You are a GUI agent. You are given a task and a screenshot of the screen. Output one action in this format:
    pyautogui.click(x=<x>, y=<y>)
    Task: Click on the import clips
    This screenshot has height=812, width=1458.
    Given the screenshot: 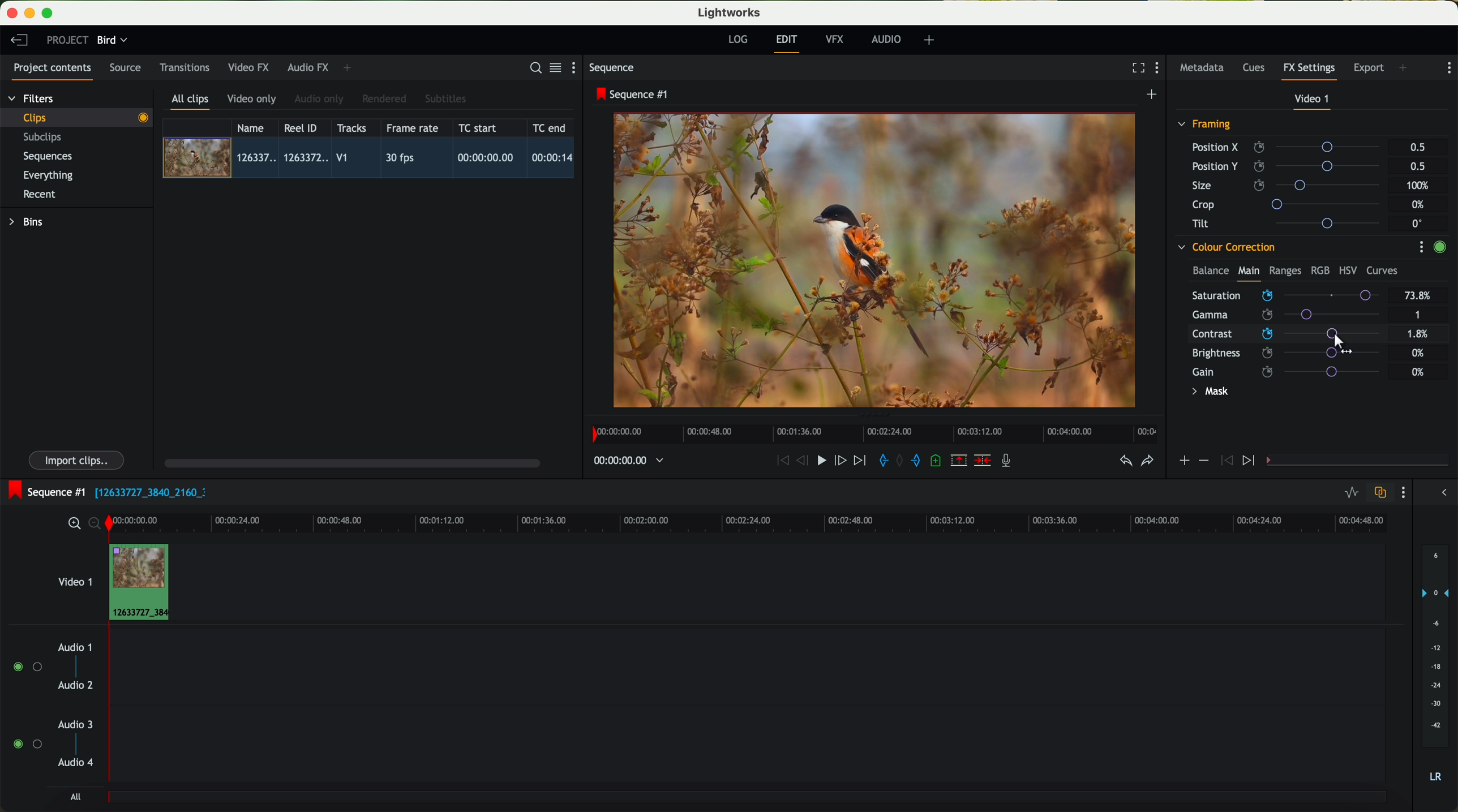 What is the action you would take?
    pyautogui.click(x=78, y=459)
    